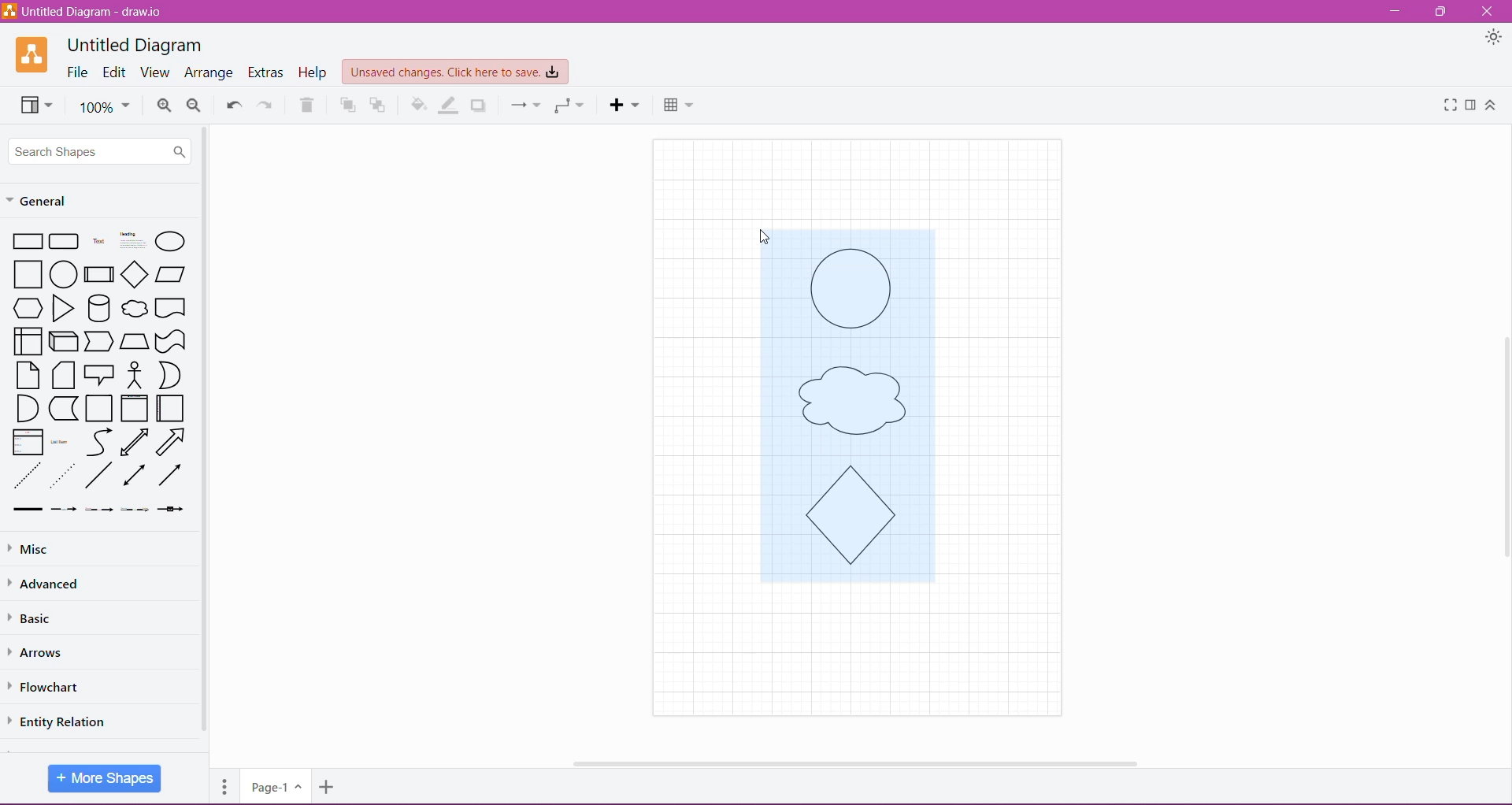 This screenshot has height=805, width=1512. What do you see at coordinates (307, 105) in the screenshot?
I see `Delete` at bounding box center [307, 105].